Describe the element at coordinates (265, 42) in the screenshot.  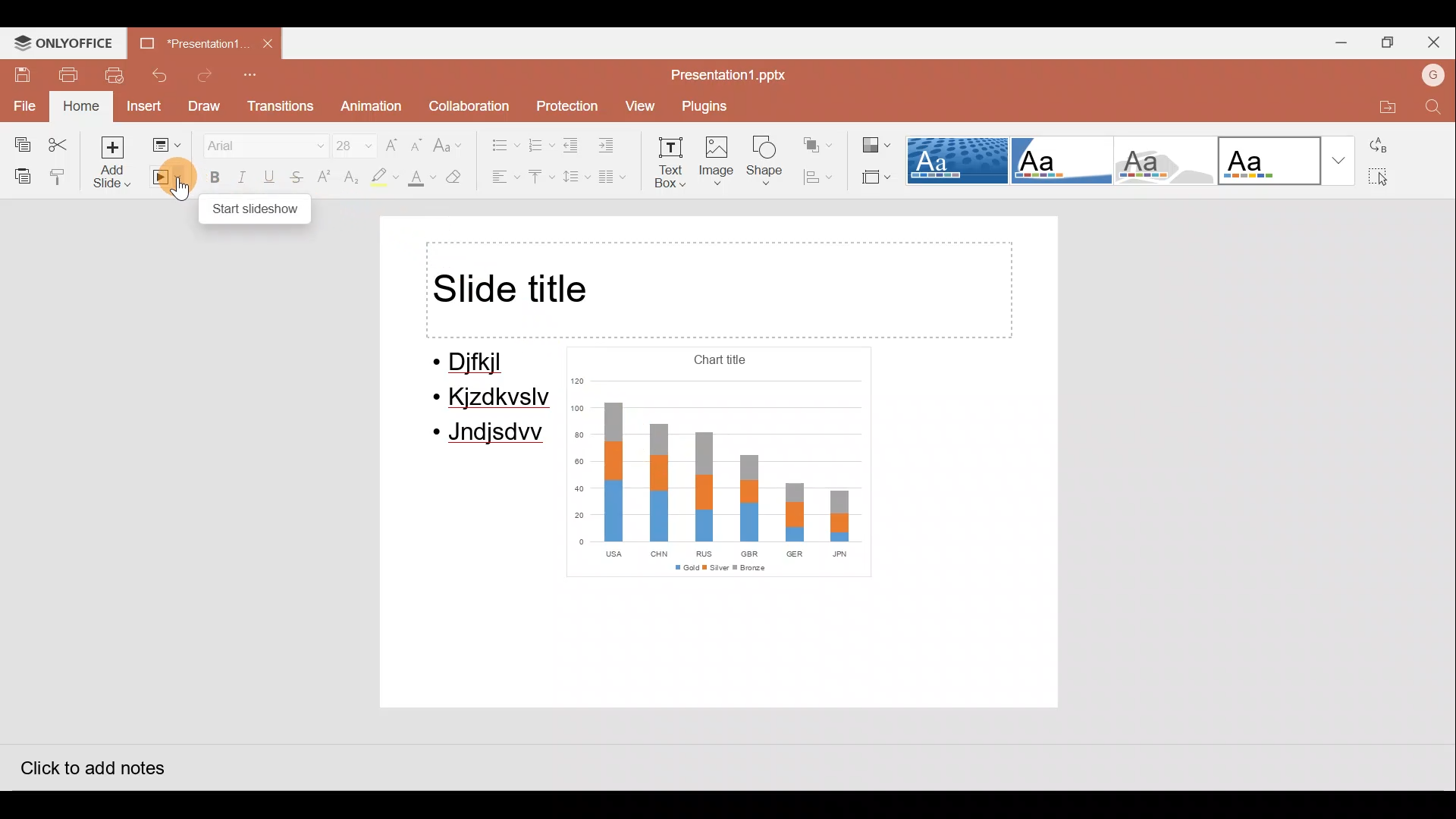
I see `Close document` at that location.